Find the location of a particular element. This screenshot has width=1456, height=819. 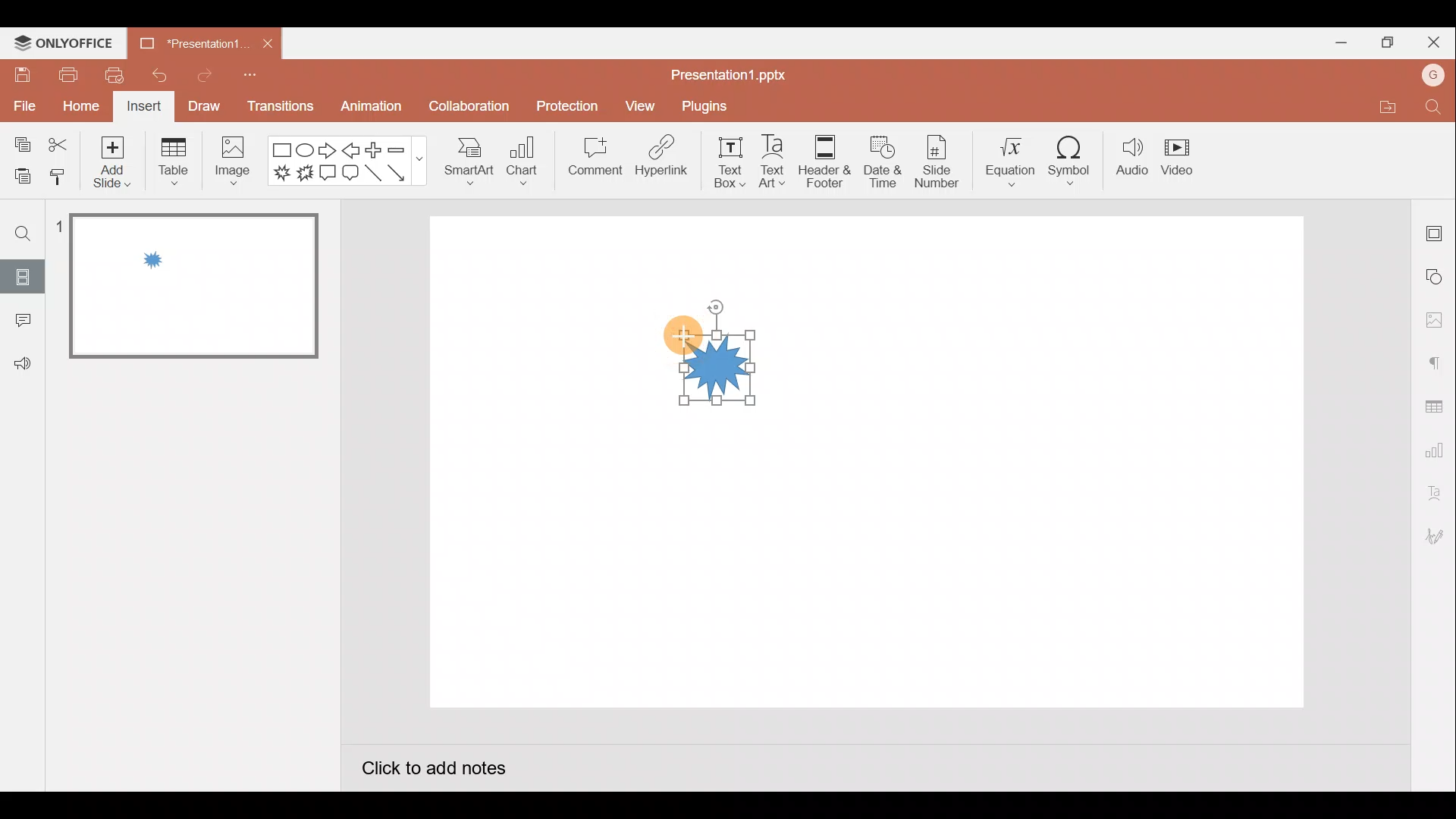

Redo is located at coordinates (199, 76).